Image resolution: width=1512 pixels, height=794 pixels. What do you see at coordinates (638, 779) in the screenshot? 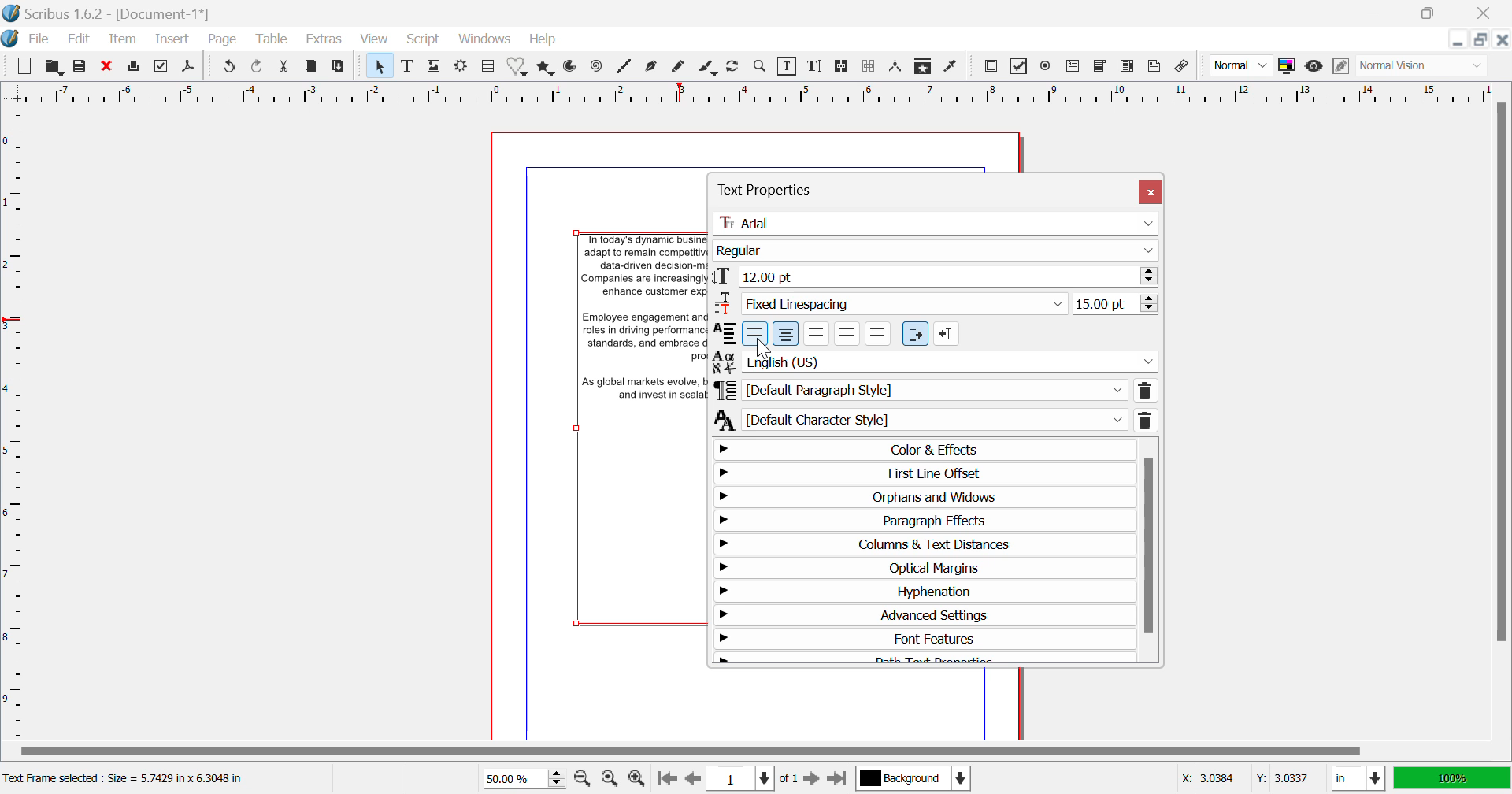
I see `Zoom In` at bounding box center [638, 779].